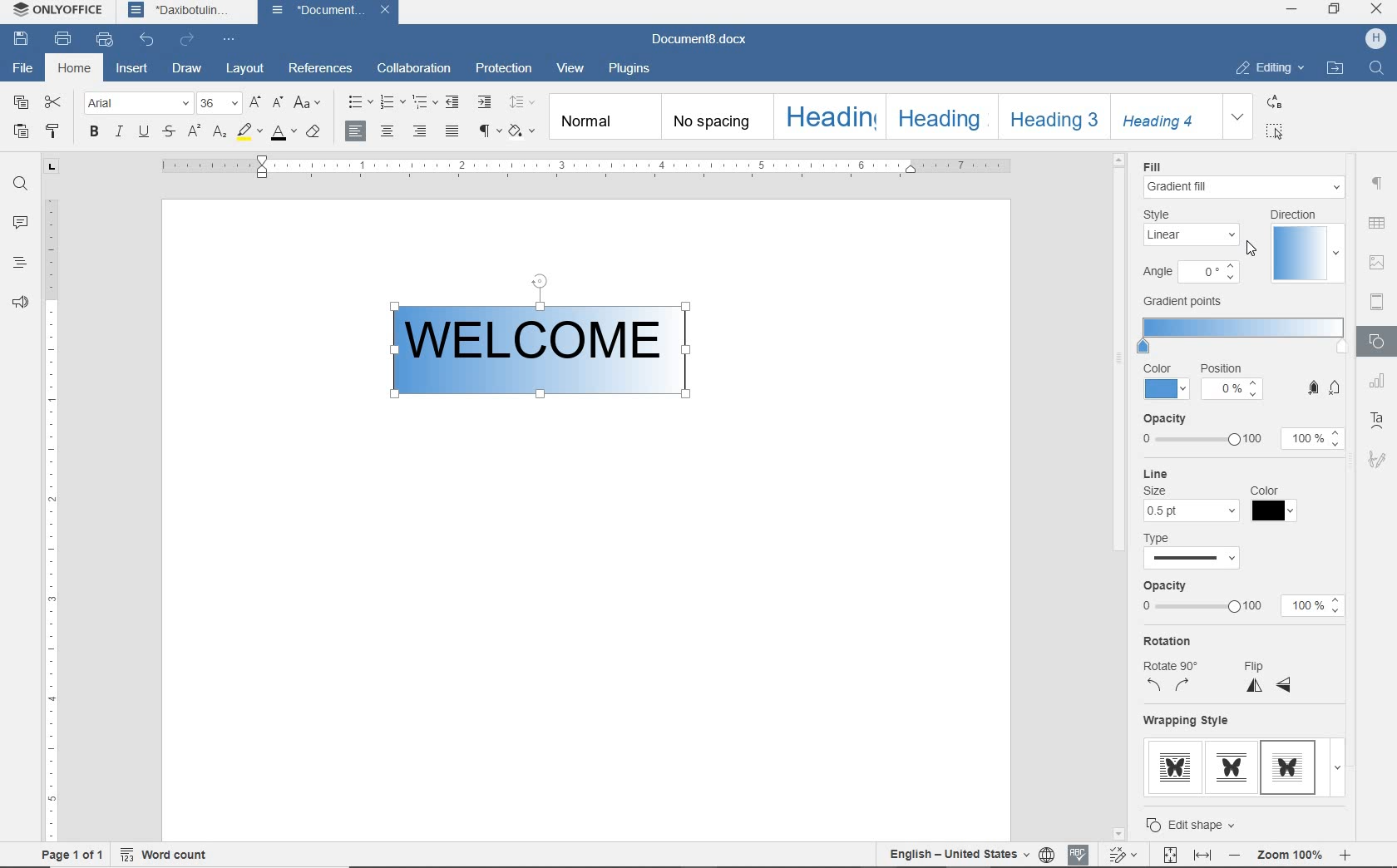  Describe the element at coordinates (245, 71) in the screenshot. I see `LAYOUT` at that location.